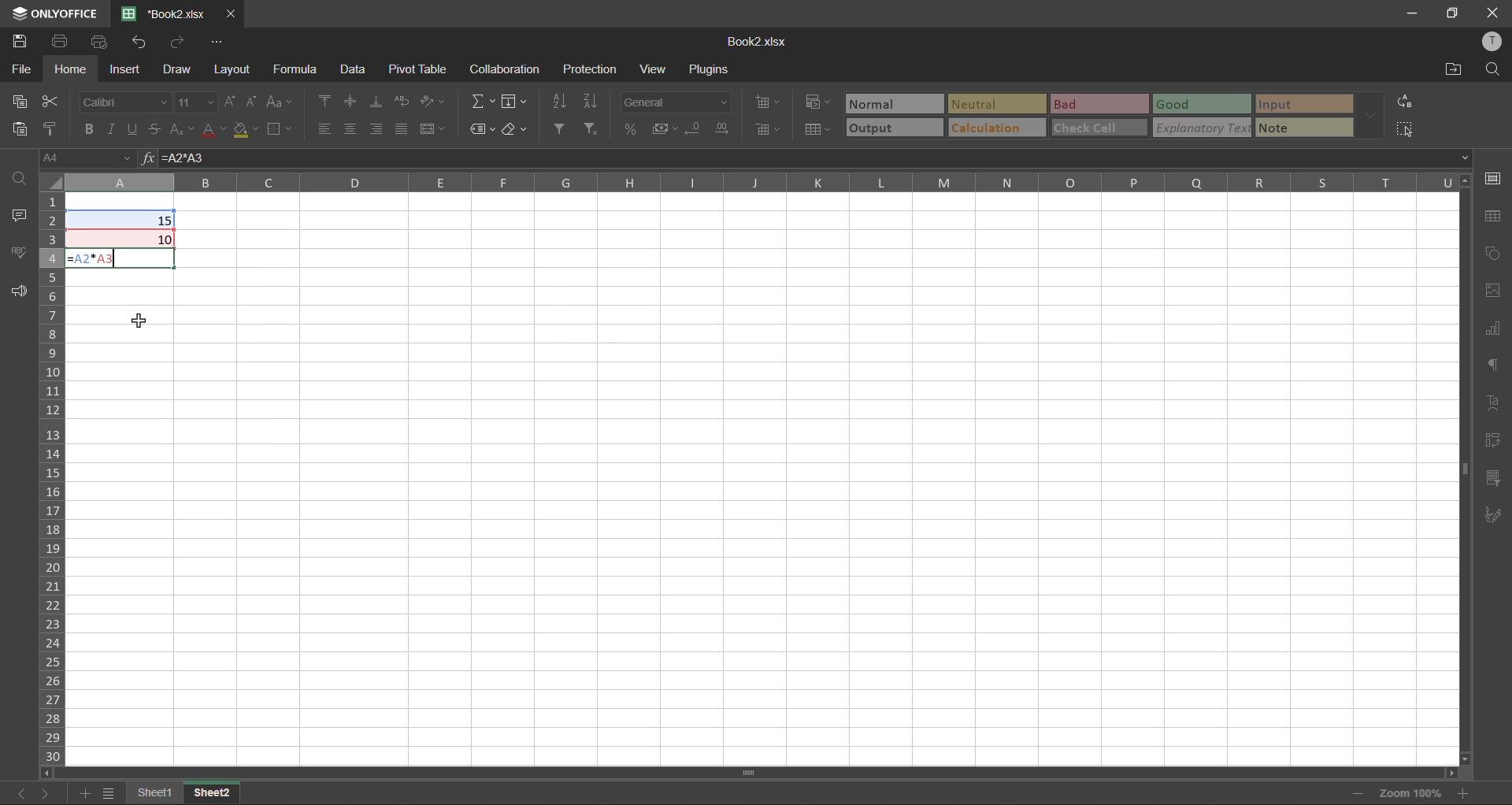 The width and height of the screenshot is (1512, 805). What do you see at coordinates (83, 156) in the screenshot?
I see `A4` at bounding box center [83, 156].